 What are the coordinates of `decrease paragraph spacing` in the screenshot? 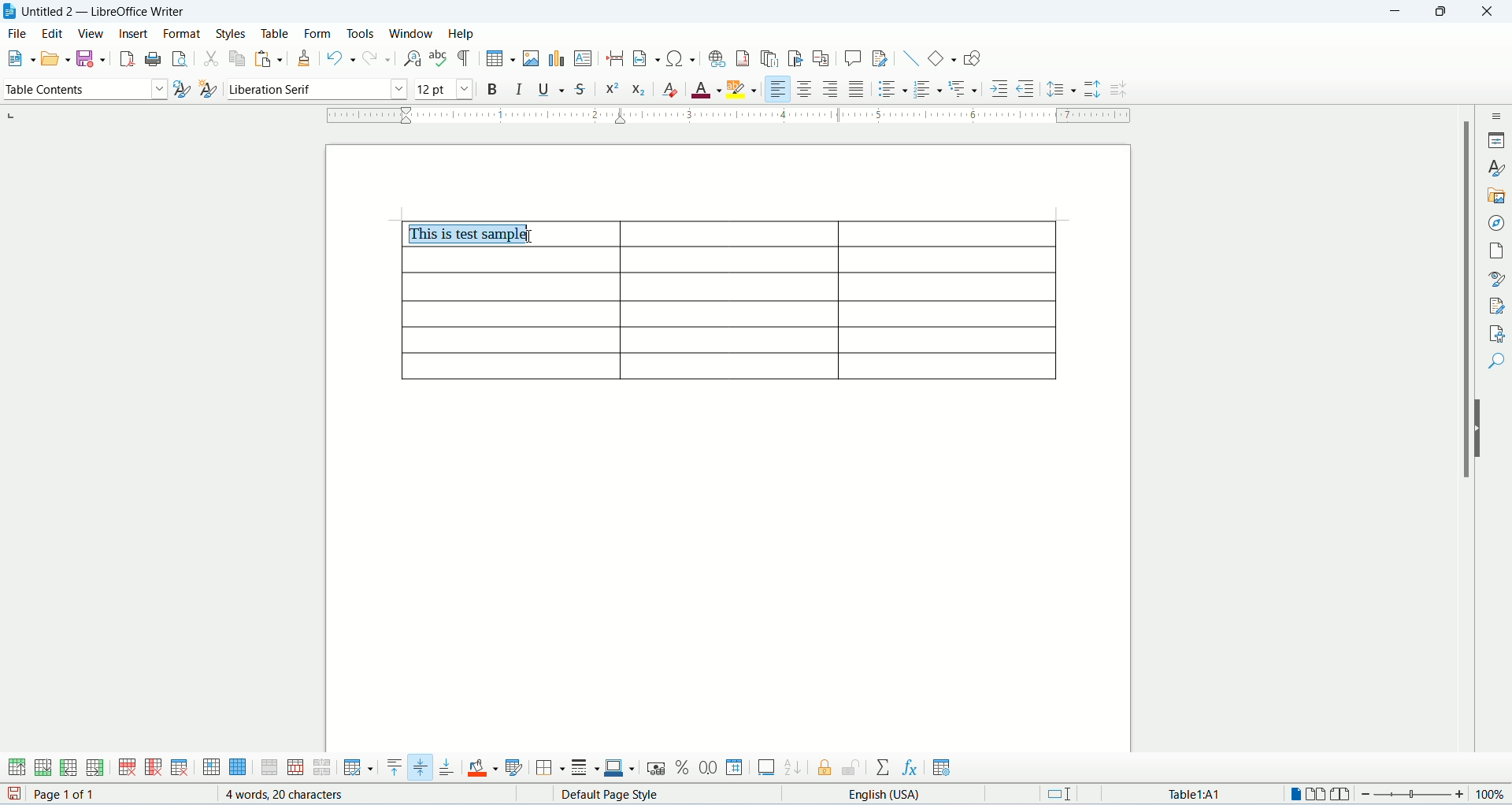 It's located at (1118, 89).